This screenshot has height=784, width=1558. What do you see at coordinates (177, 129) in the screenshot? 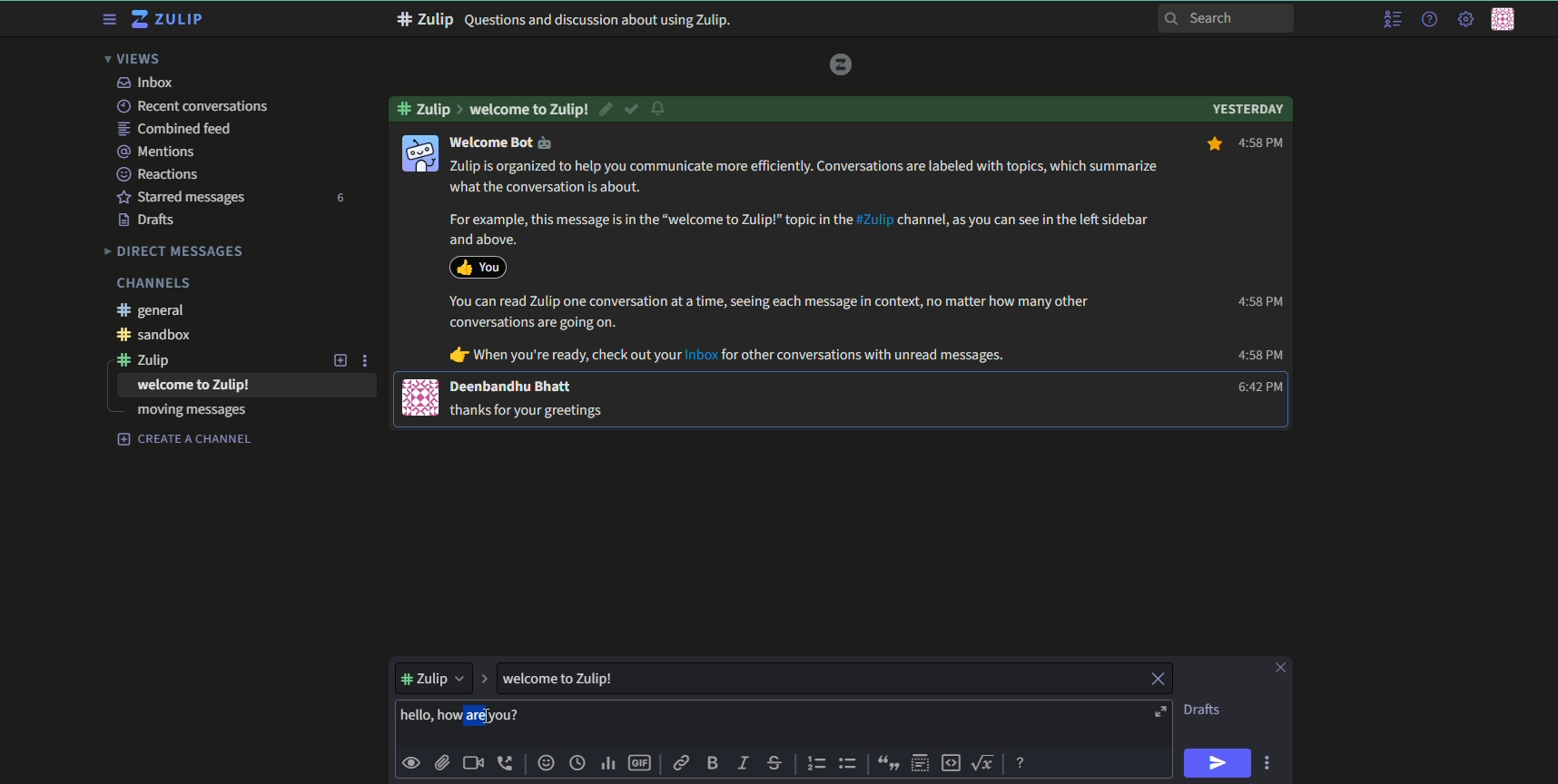
I see `combined feed` at bounding box center [177, 129].